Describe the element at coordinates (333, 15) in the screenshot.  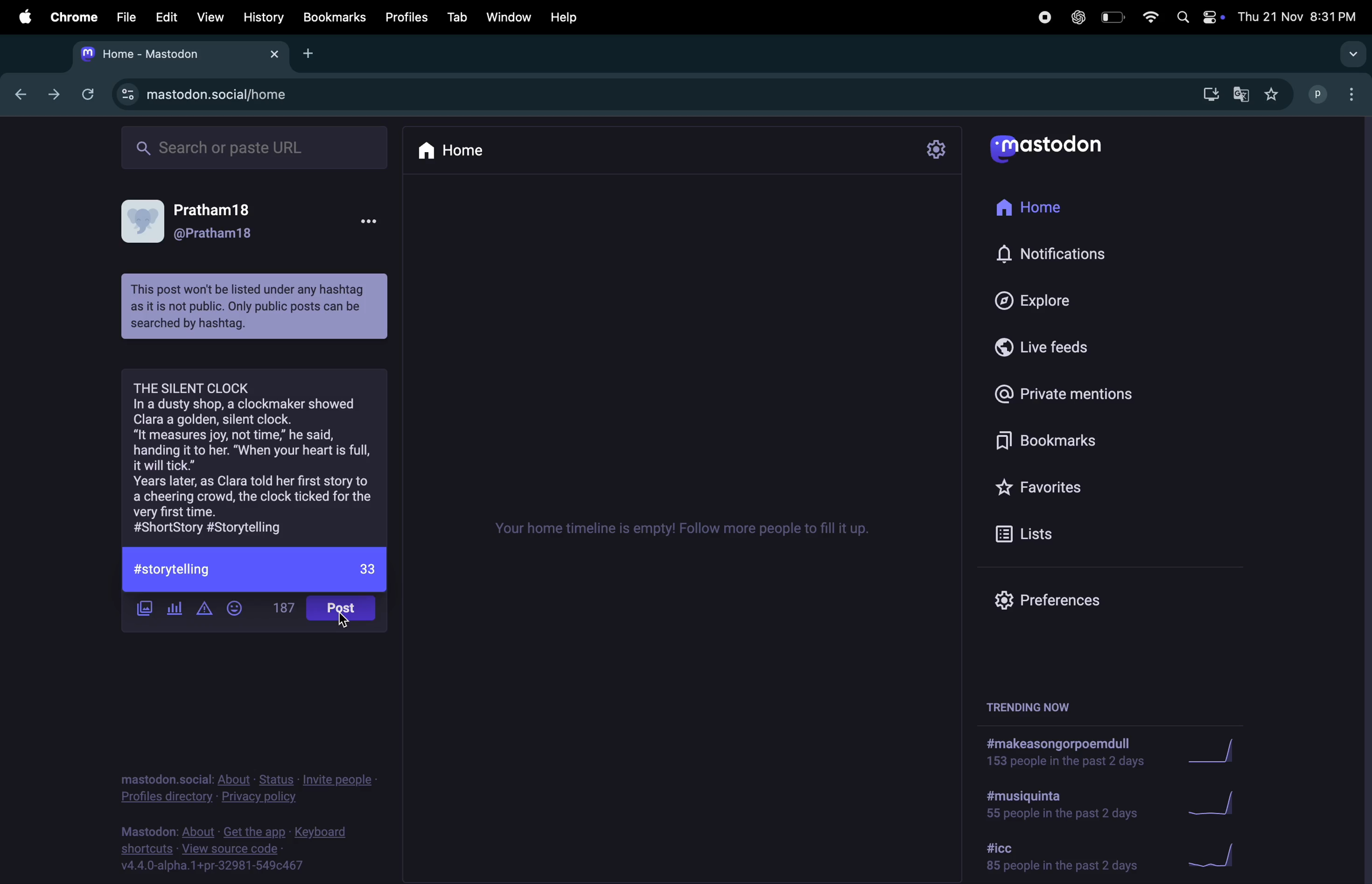
I see `book marks` at that location.